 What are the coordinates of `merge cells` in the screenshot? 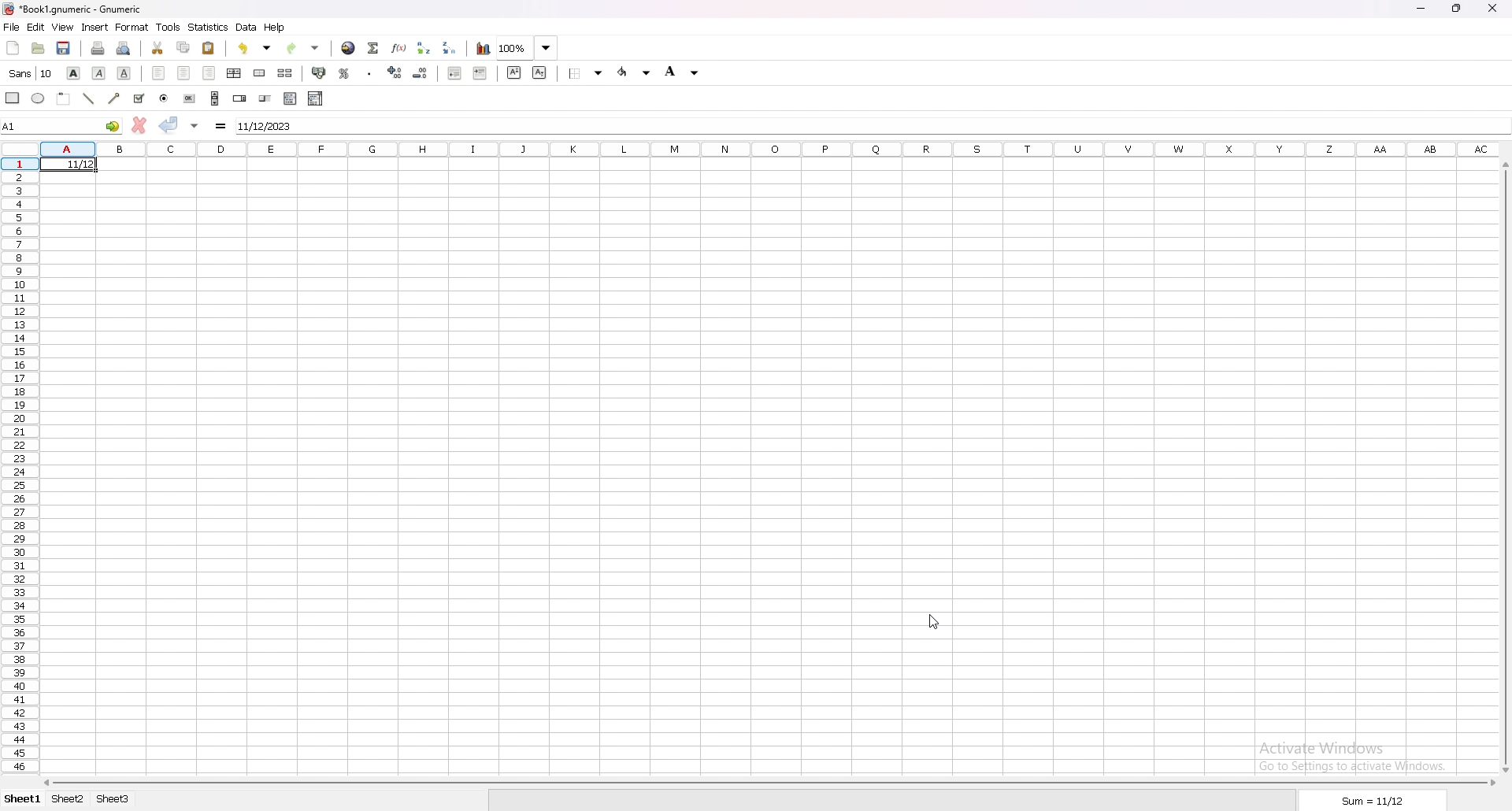 It's located at (259, 74).